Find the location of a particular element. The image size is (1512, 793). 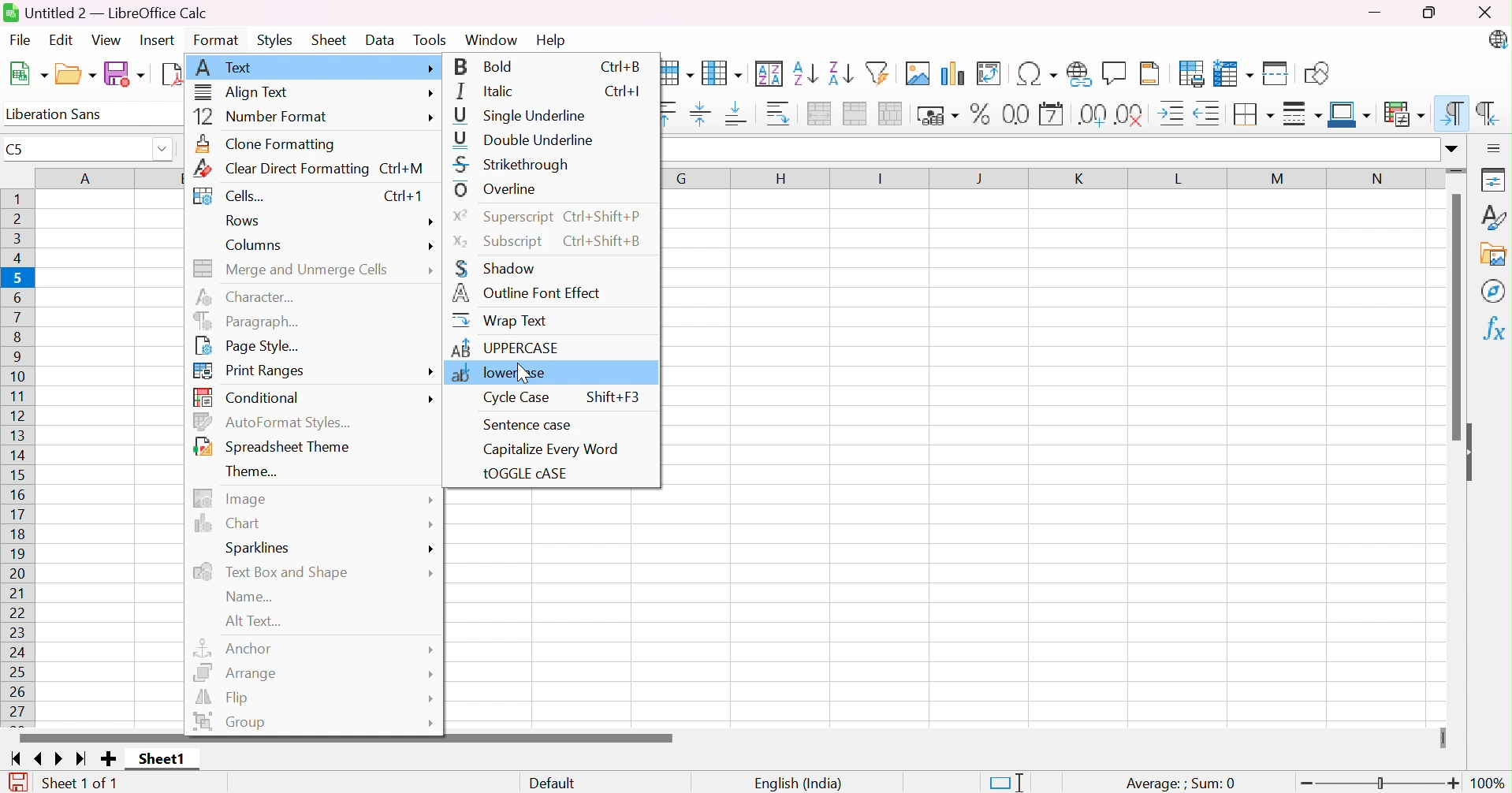

Standard Selection. Click to change the selection mode. is located at coordinates (1011, 782).